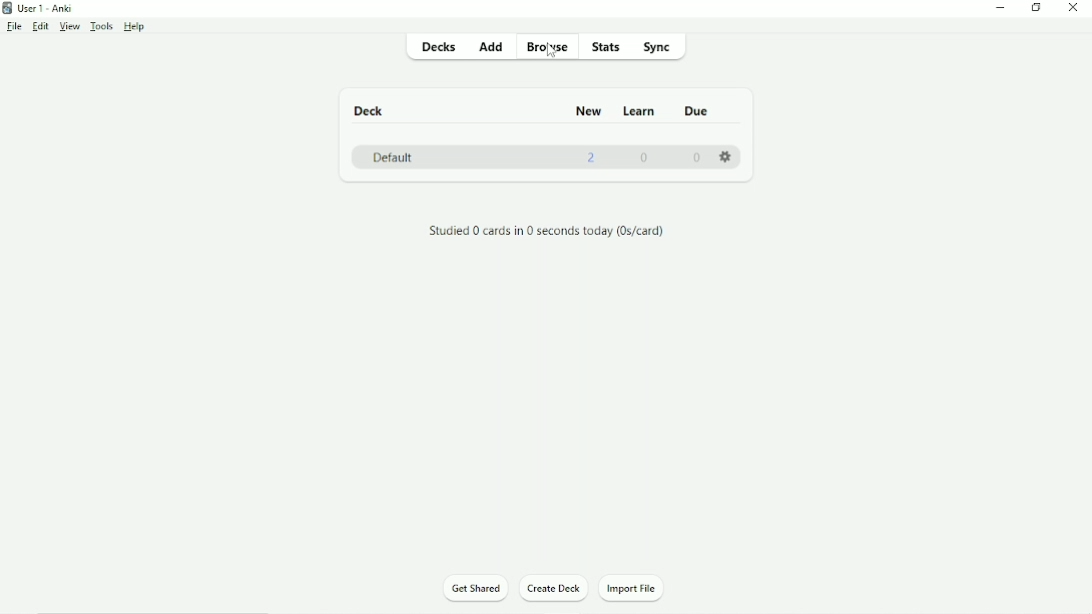  Describe the element at coordinates (643, 587) in the screenshot. I see `Import File` at that location.